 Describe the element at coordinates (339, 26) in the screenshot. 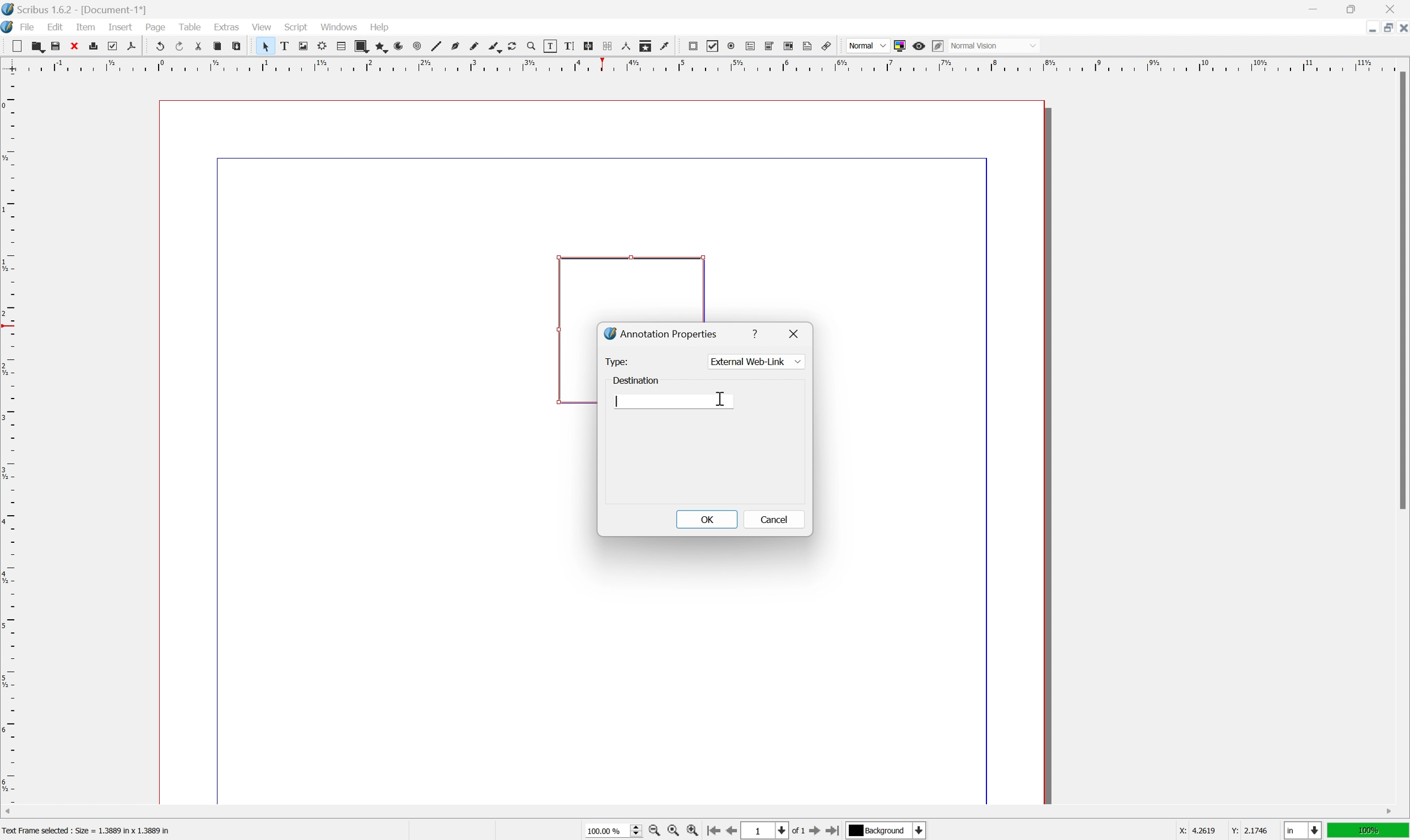

I see `windows` at that location.